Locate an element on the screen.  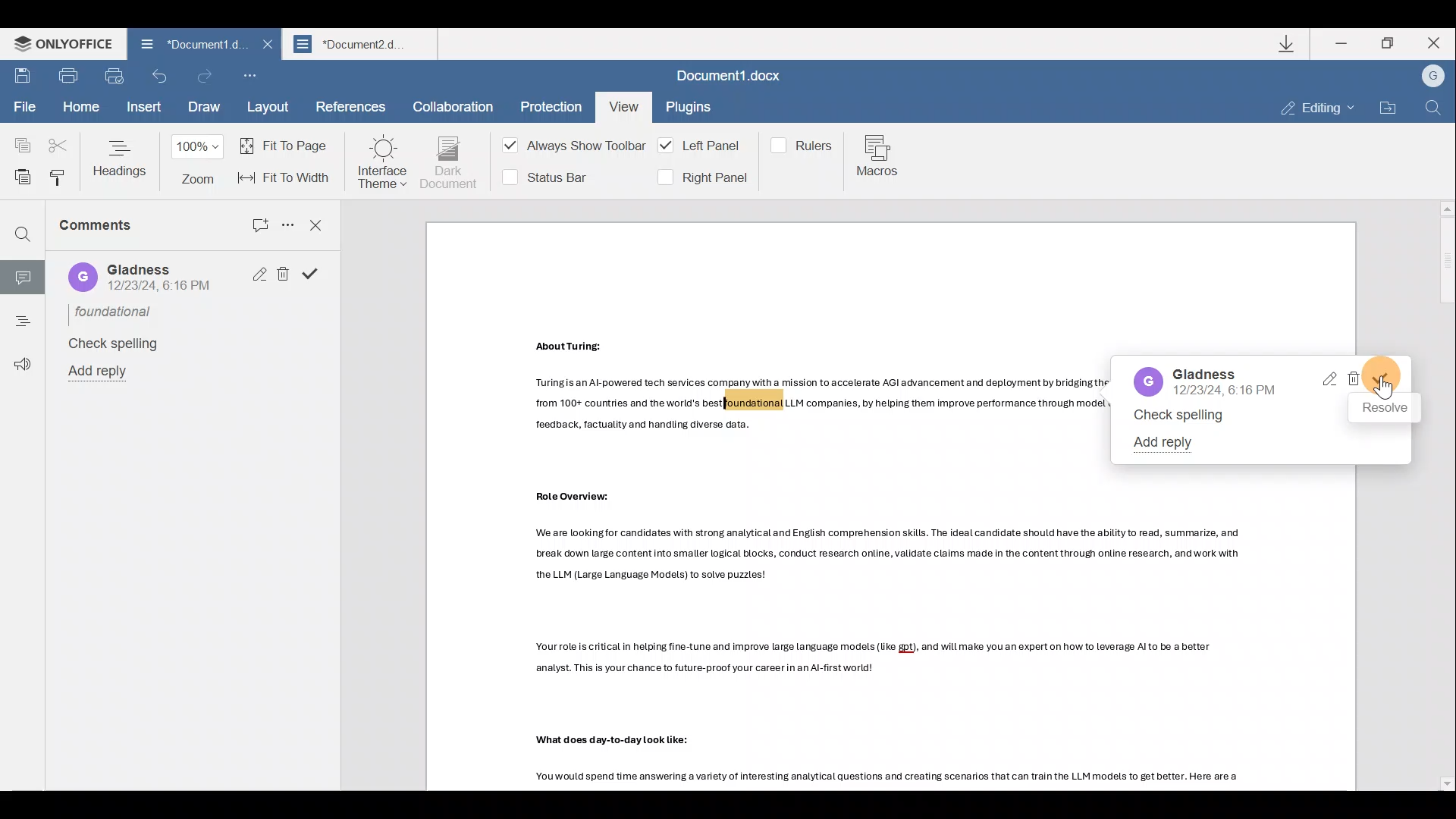
Status bar is located at coordinates (551, 176).